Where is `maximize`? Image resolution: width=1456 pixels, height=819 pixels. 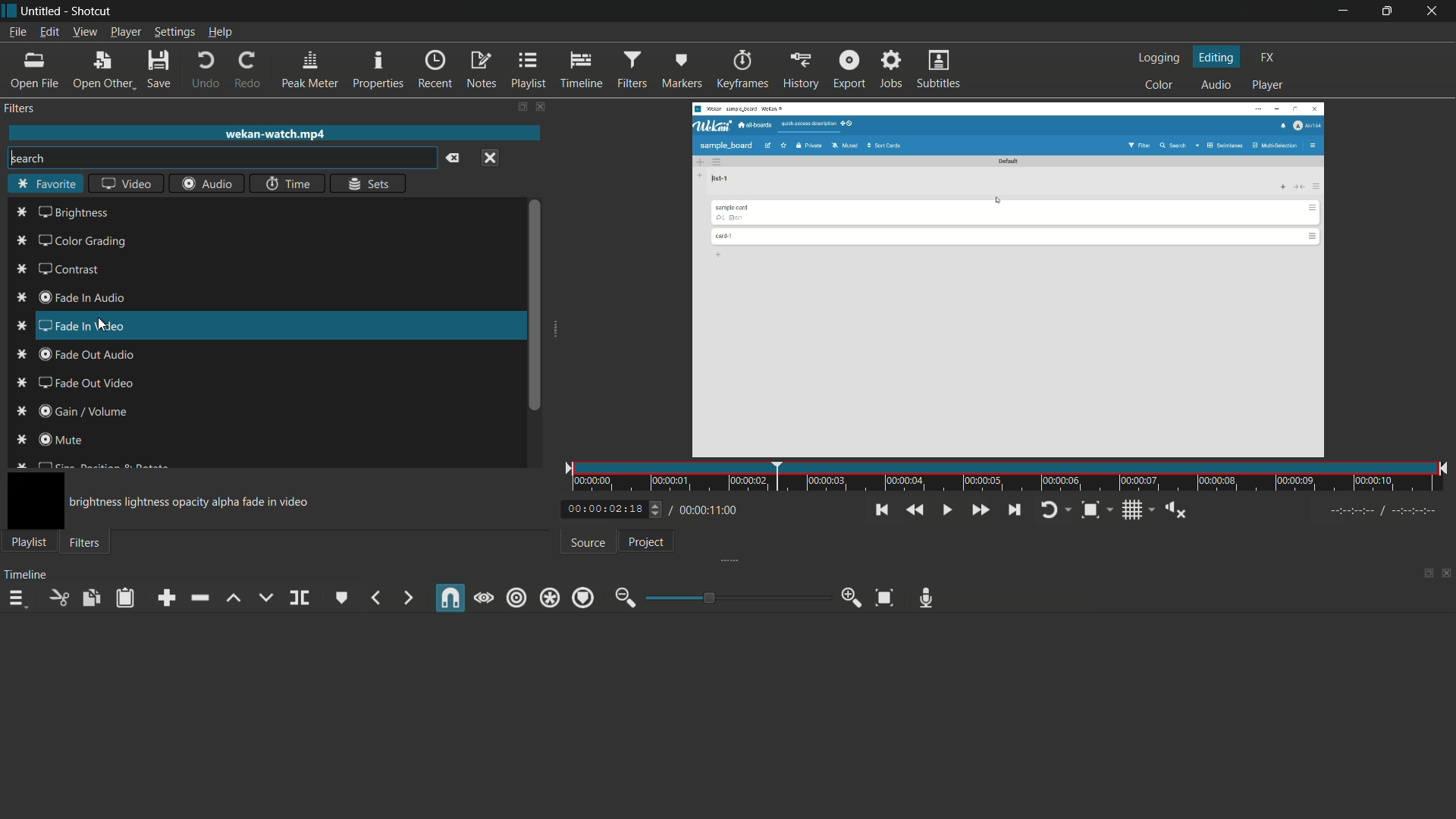
maximize is located at coordinates (1389, 11).